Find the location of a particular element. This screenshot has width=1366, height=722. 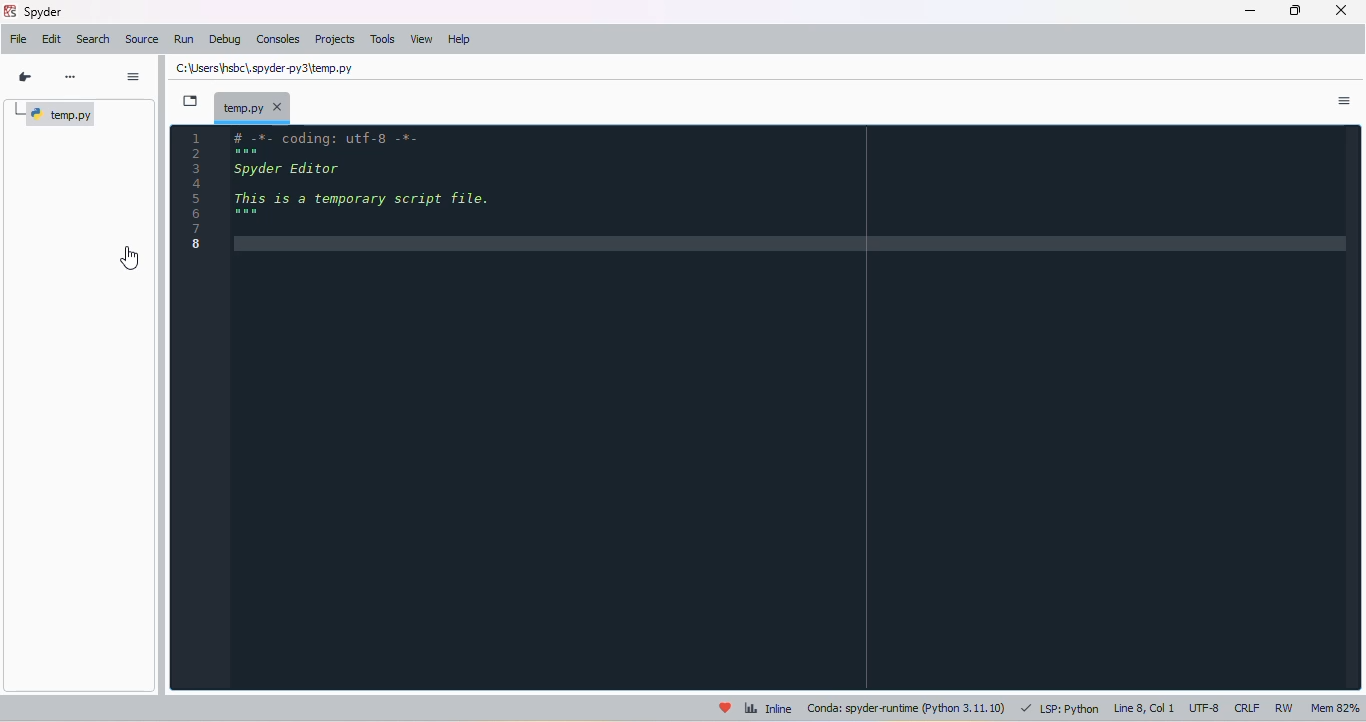

run is located at coordinates (184, 39).